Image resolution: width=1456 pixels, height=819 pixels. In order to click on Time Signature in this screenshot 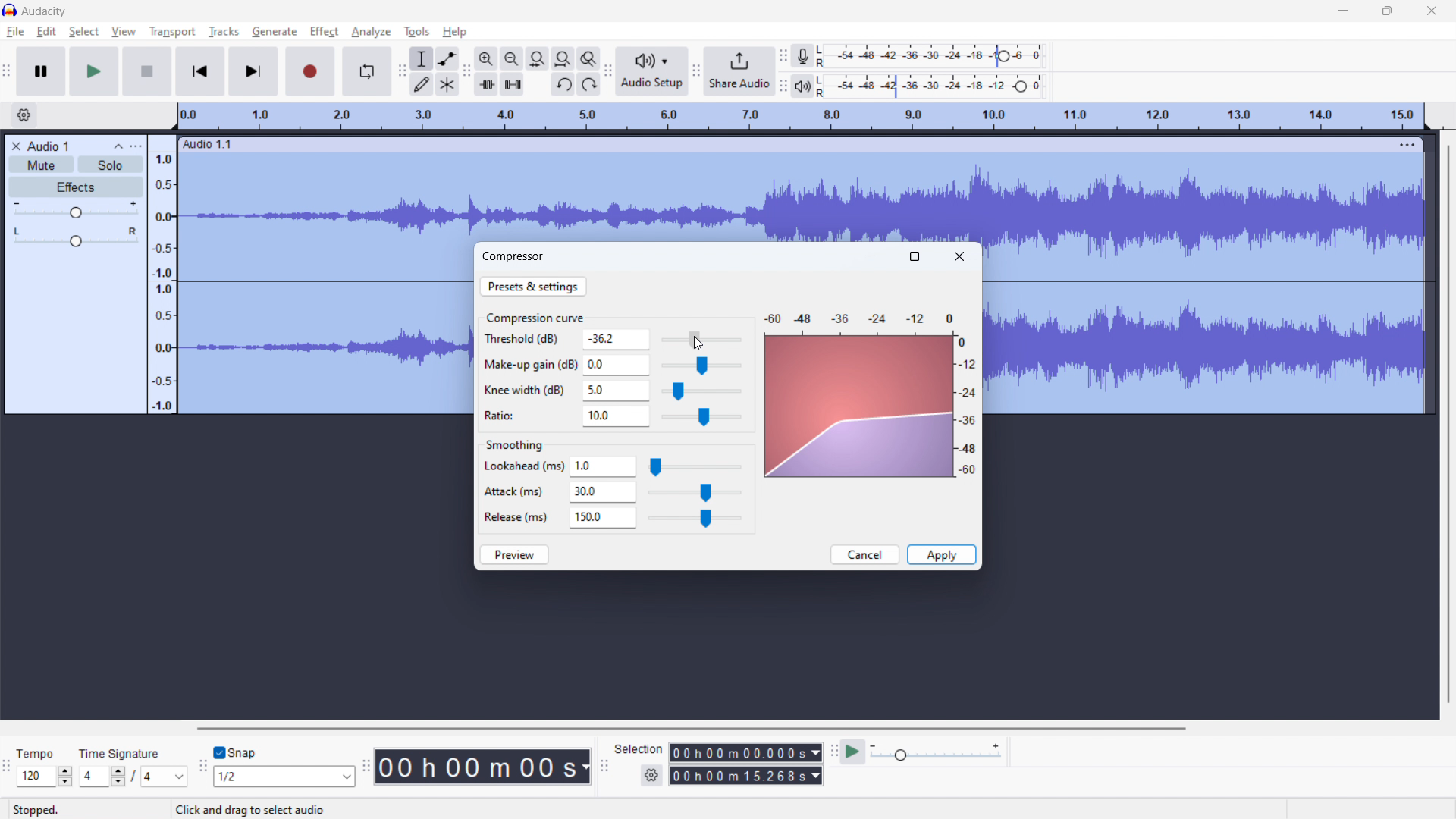, I will do `click(121, 750)`.